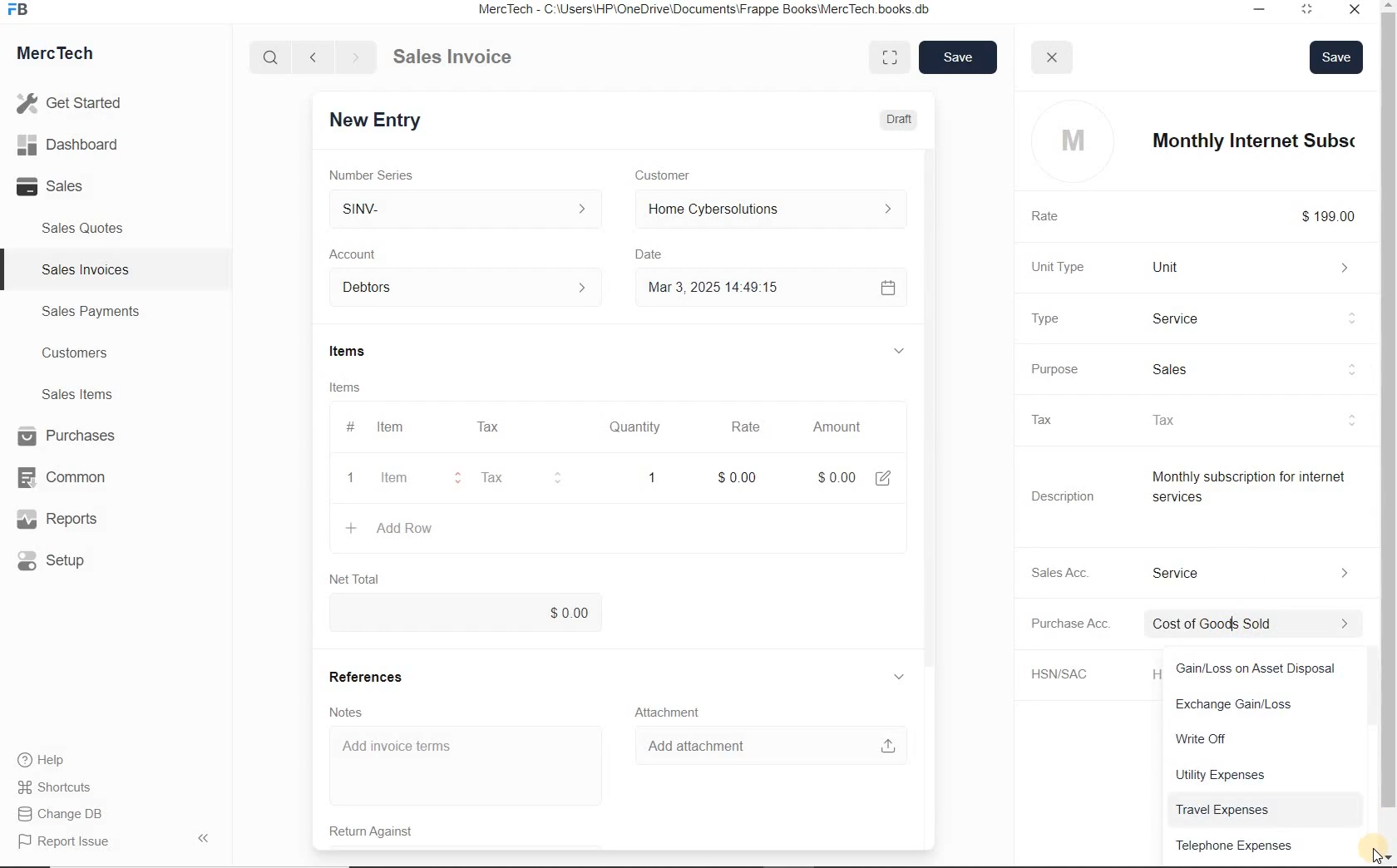 The width and height of the screenshot is (1397, 868). What do you see at coordinates (1262, 494) in the screenshot?
I see `Item Description` at bounding box center [1262, 494].